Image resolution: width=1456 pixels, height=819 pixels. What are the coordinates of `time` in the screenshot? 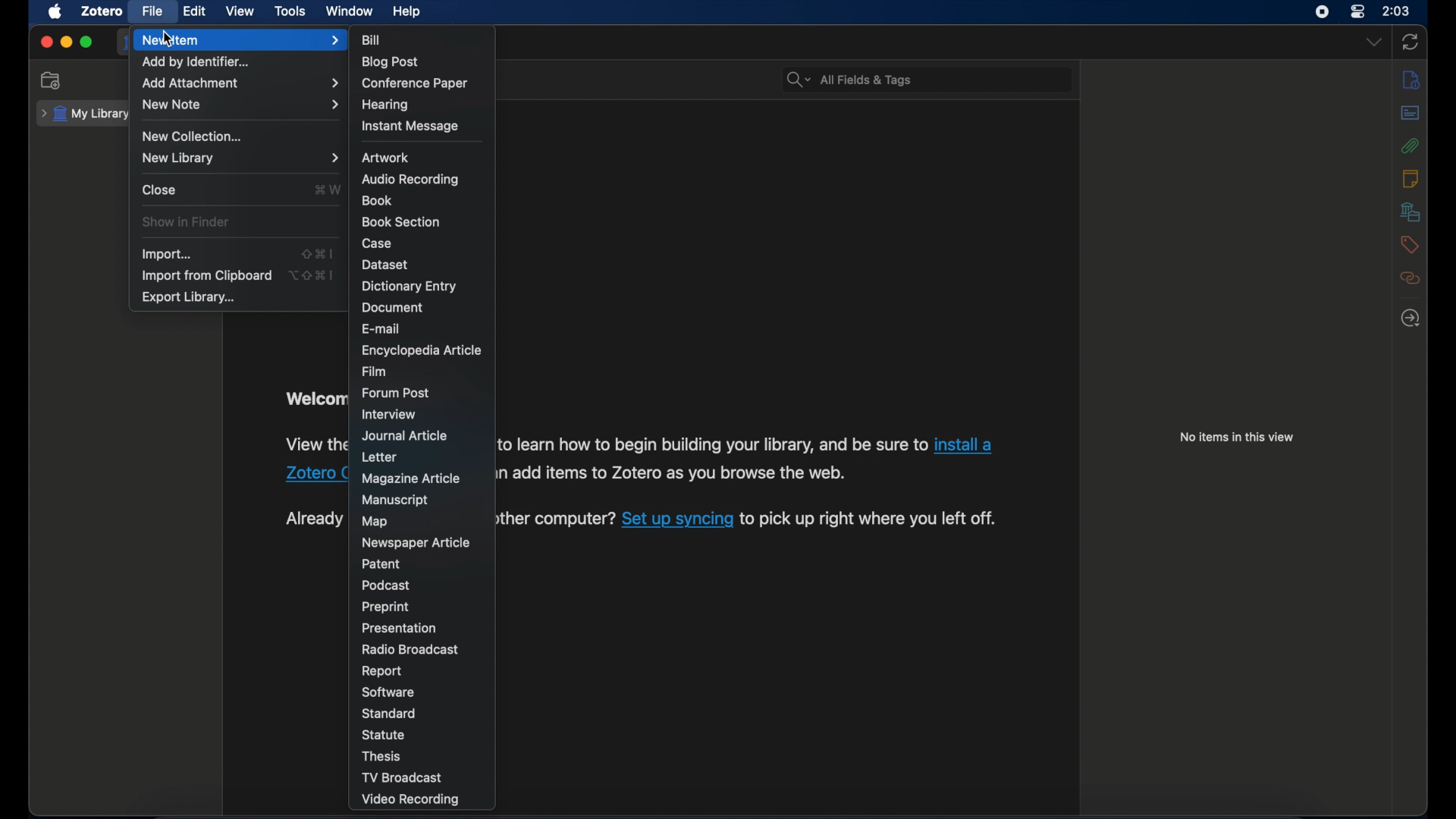 It's located at (1398, 10).